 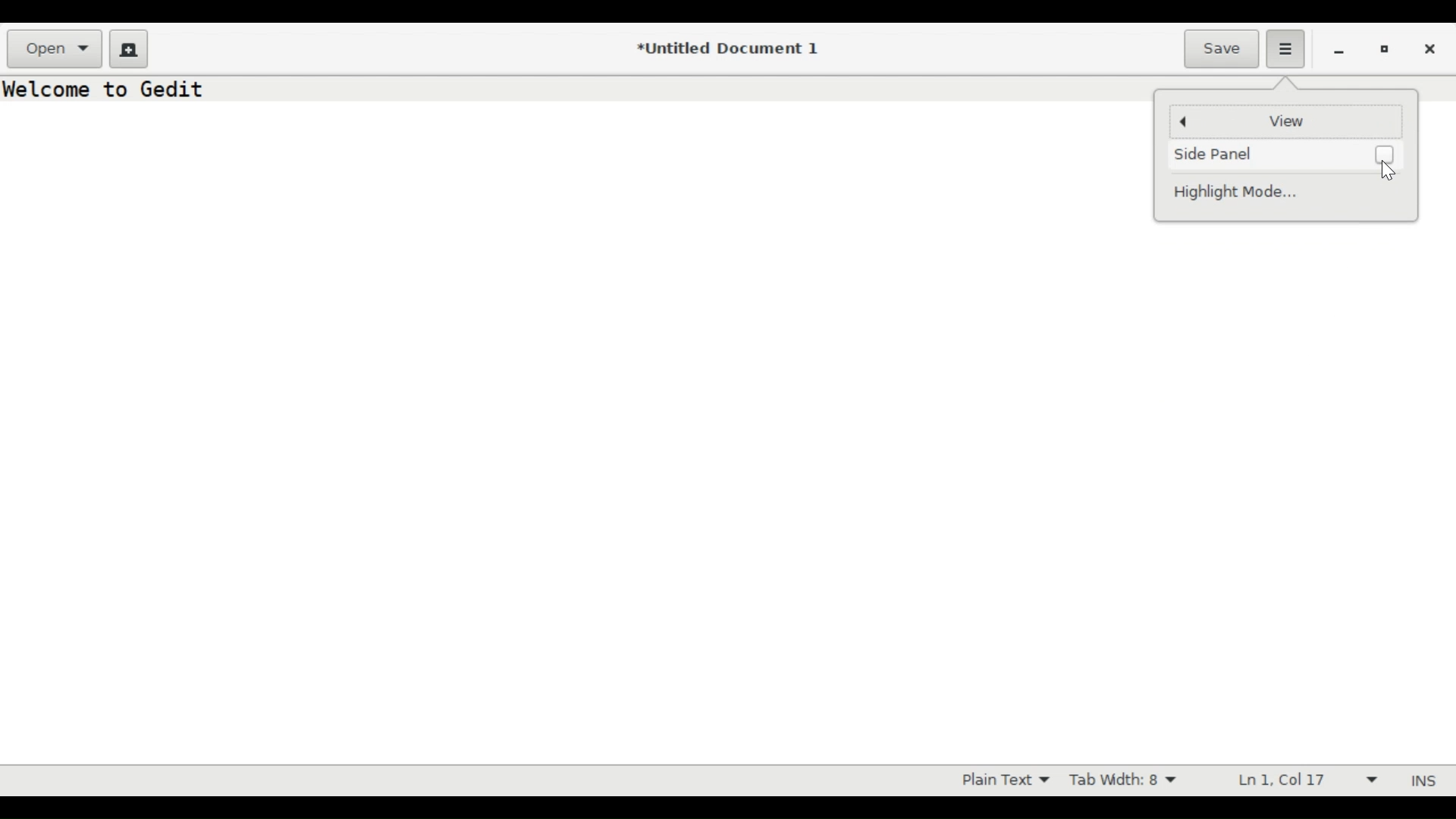 I want to click on Highlight Mode, so click(x=1246, y=192).